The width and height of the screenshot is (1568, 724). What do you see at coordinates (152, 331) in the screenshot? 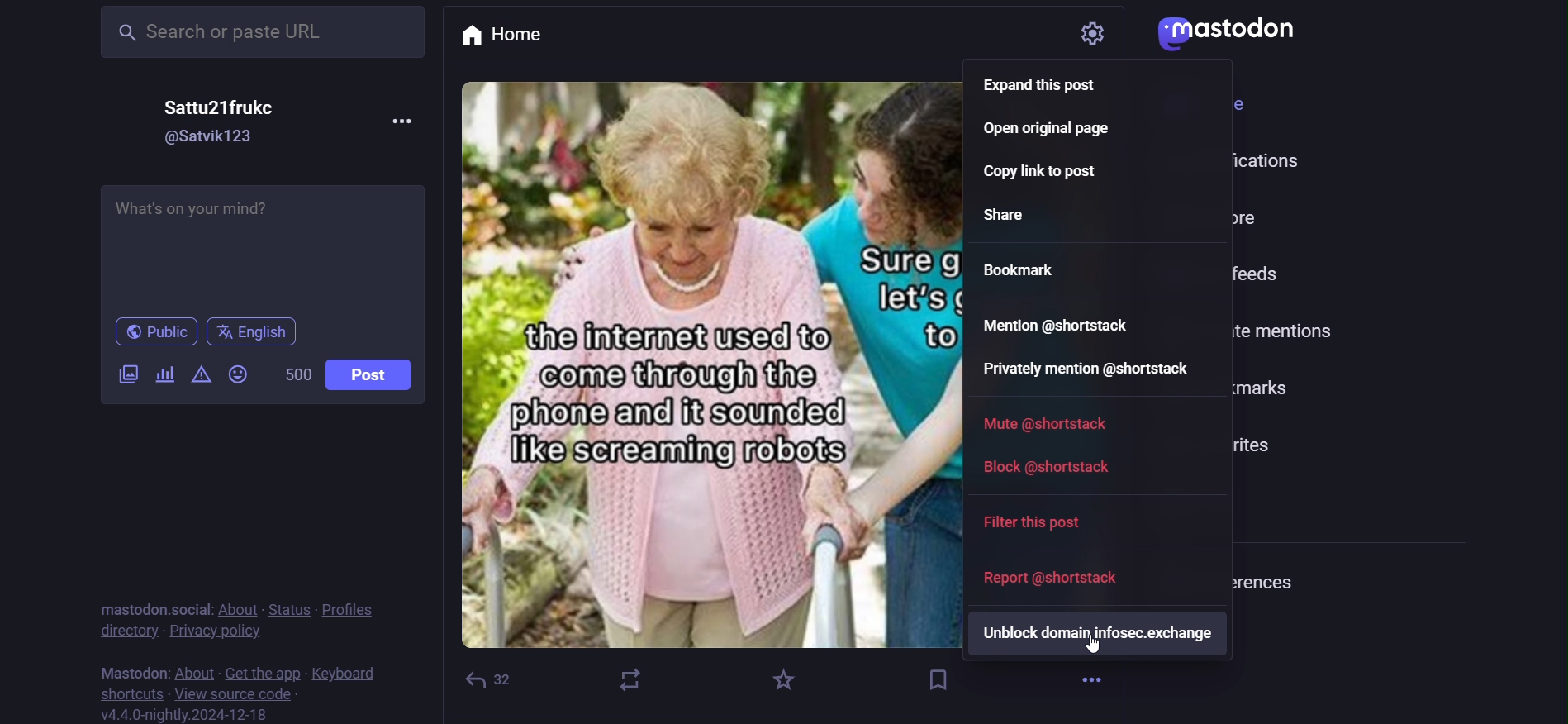
I see `public` at bounding box center [152, 331].